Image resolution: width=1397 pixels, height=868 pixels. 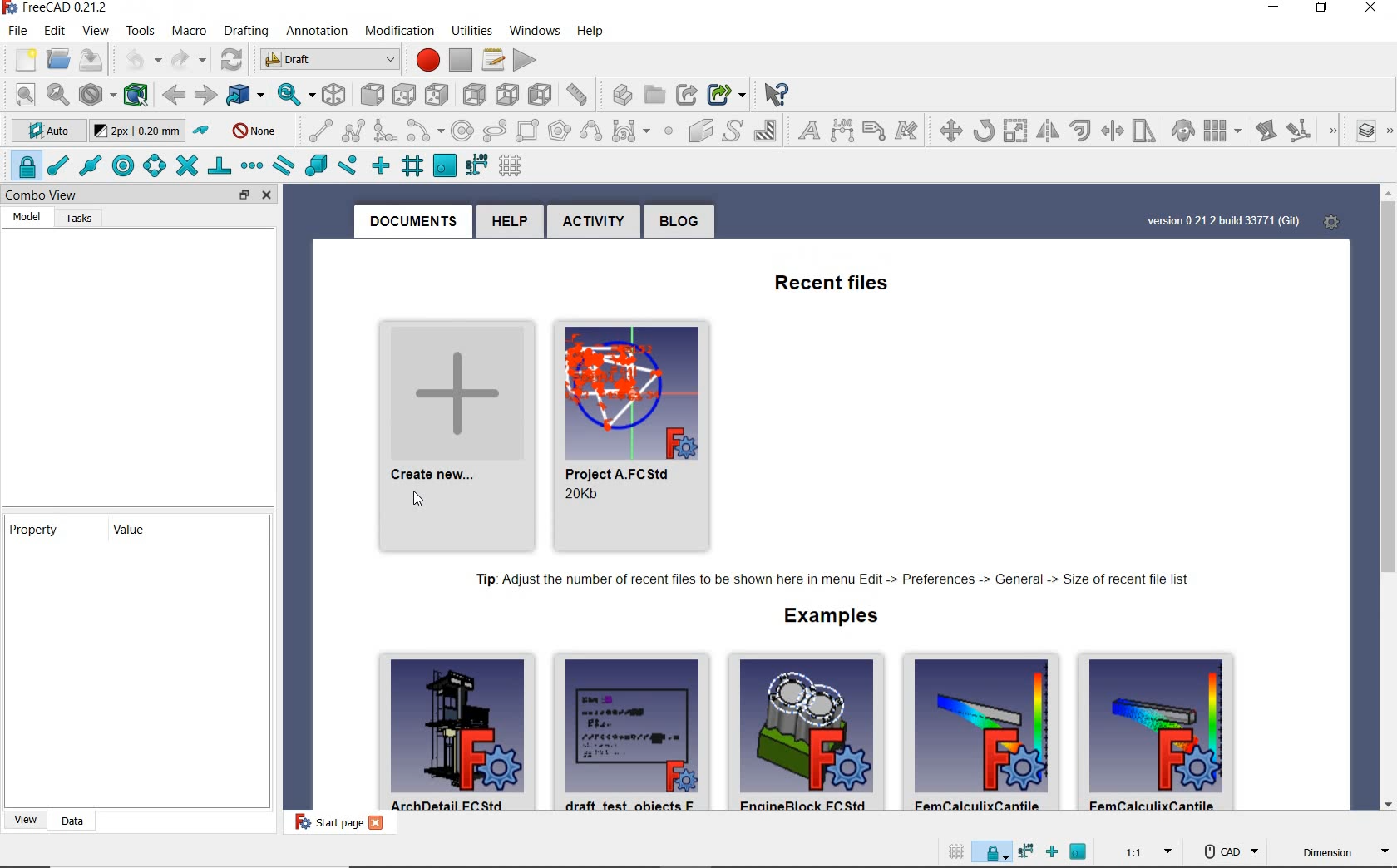 What do you see at coordinates (132, 92) in the screenshot?
I see `bounding box` at bounding box center [132, 92].